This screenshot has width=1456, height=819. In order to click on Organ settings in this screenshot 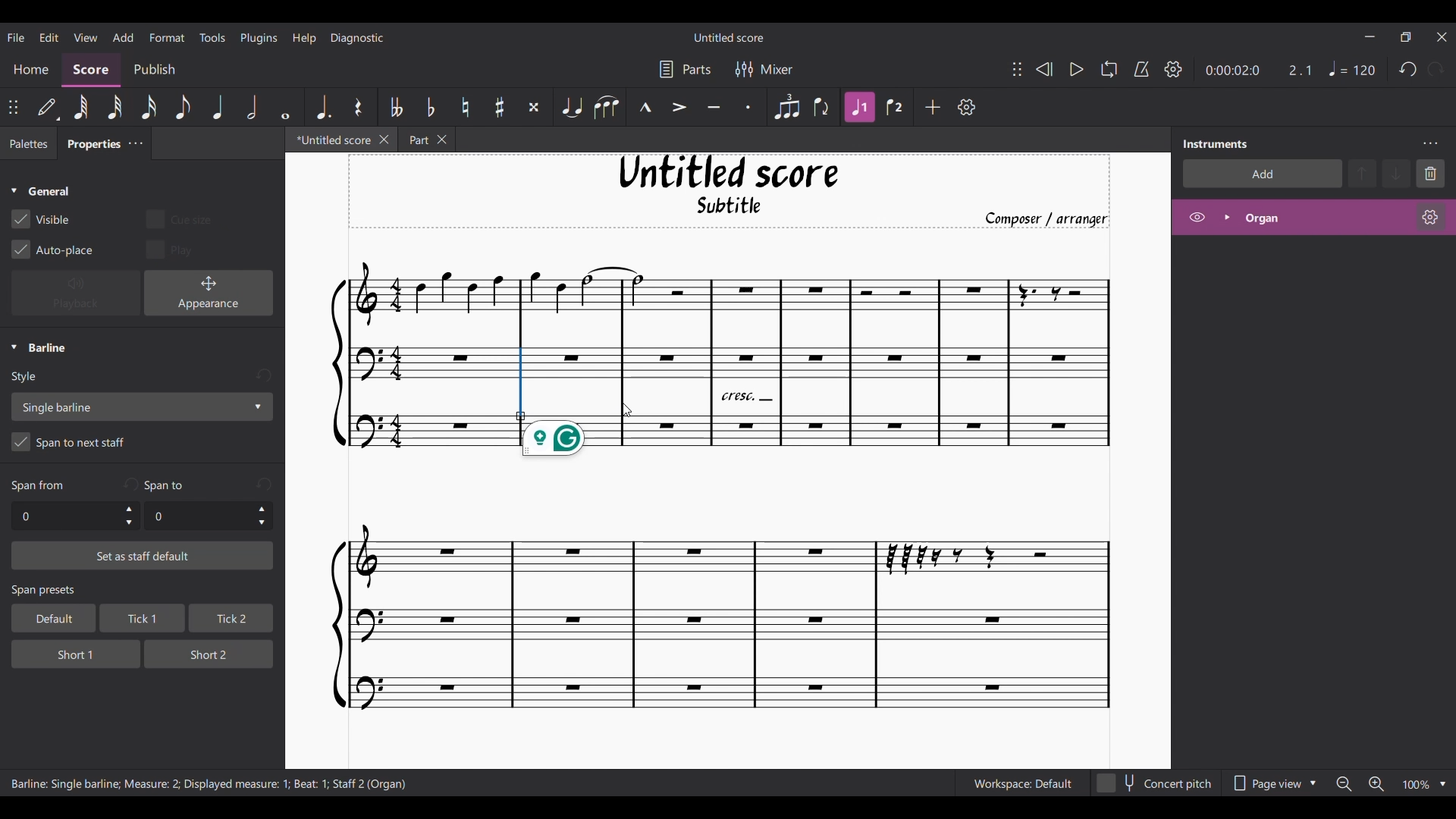, I will do `click(1430, 217)`.